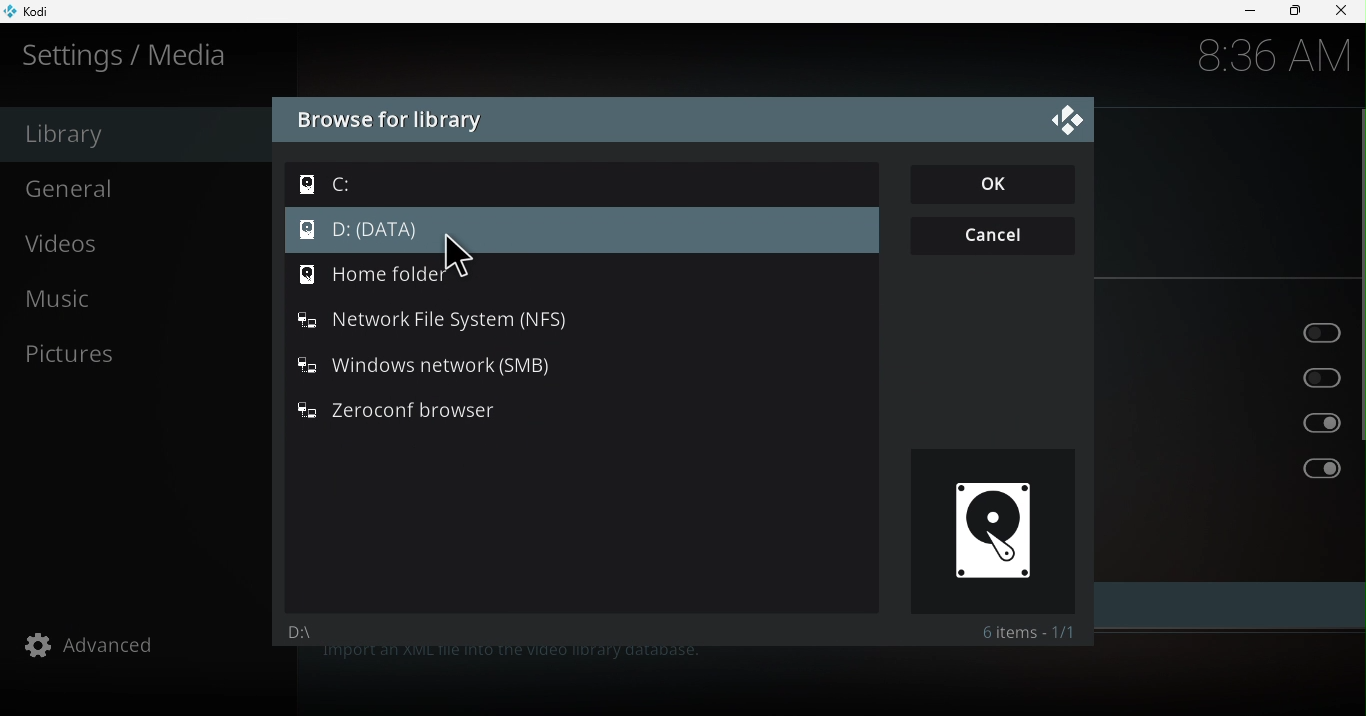  I want to click on Network file system (NFS), so click(574, 320).